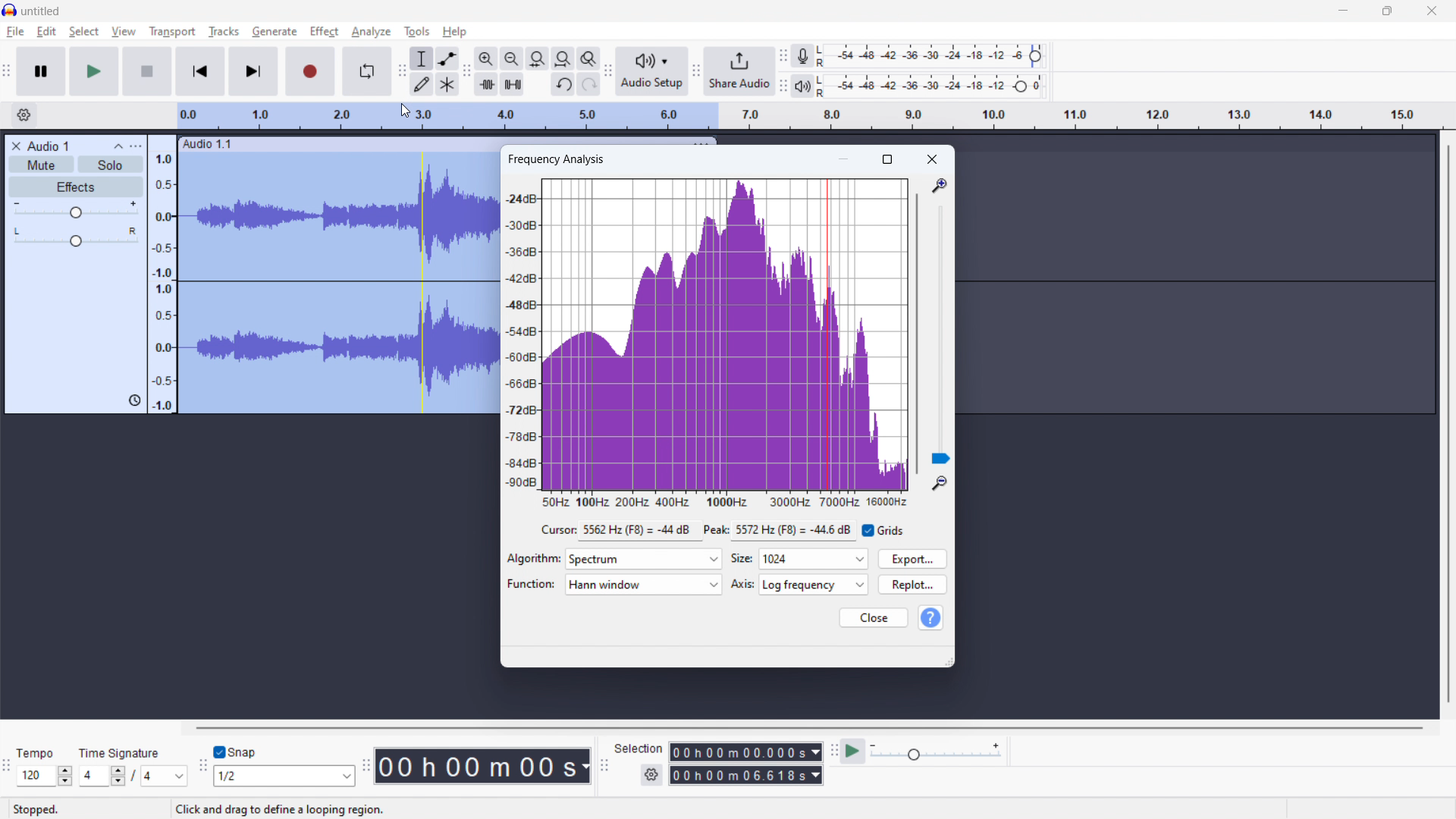 Image resolution: width=1456 pixels, height=819 pixels. Describe the element at coordinates (742, 560) in the screenshot. I see `Size` at that location.